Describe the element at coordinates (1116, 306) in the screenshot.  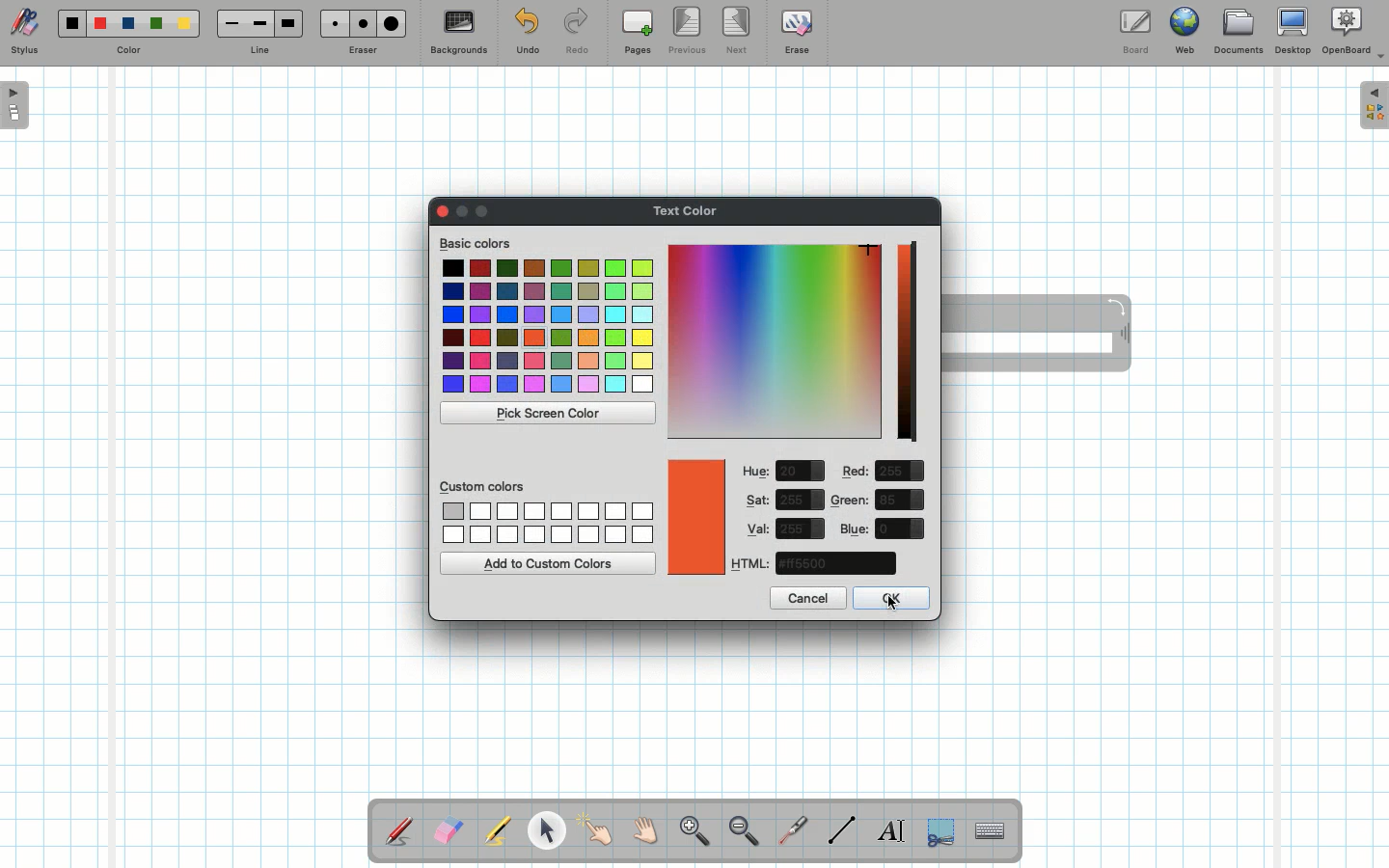
I see `Rotate` at that location.